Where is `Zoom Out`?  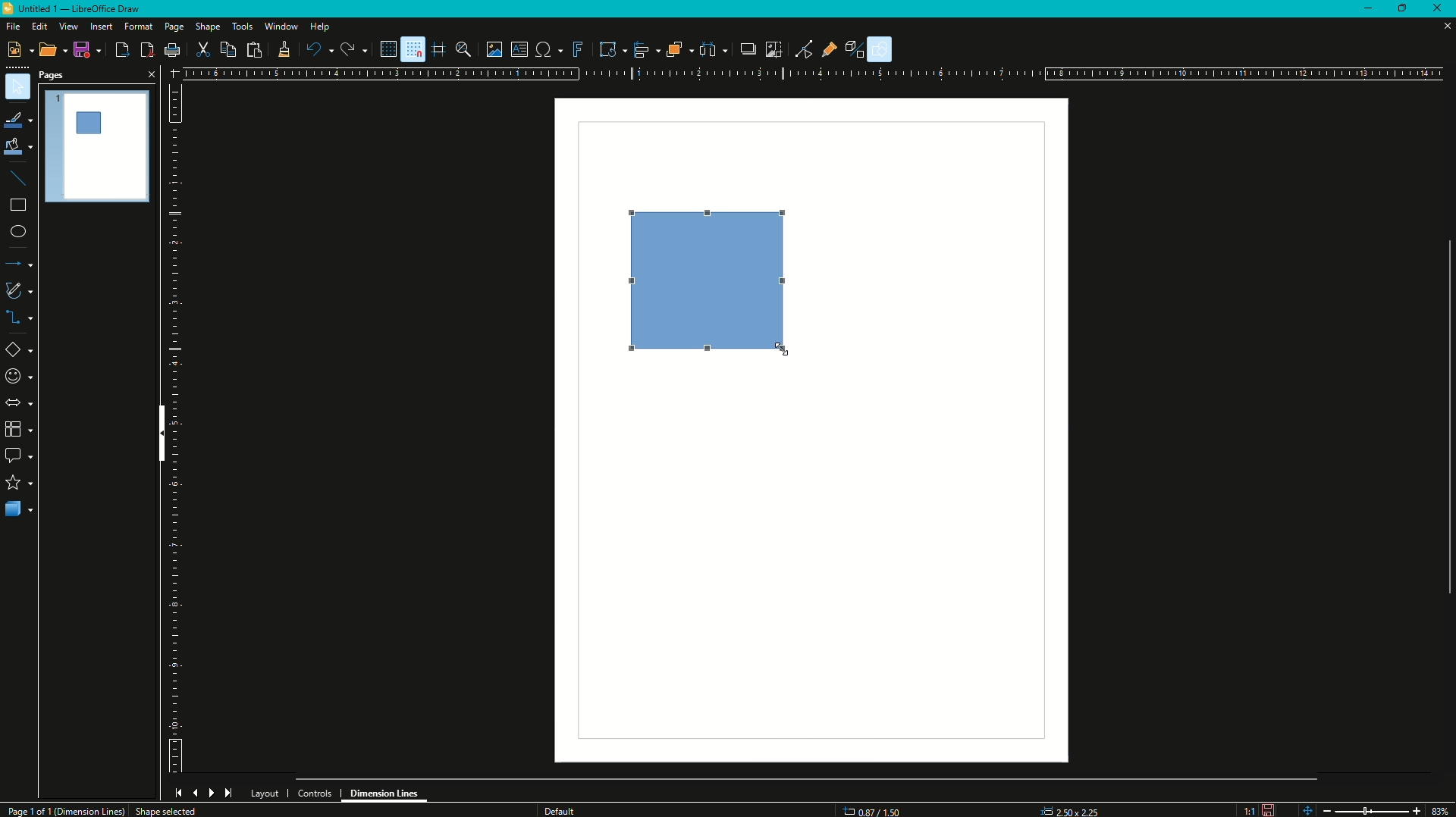
Zoom Out is located at coordinates (1324, 809).